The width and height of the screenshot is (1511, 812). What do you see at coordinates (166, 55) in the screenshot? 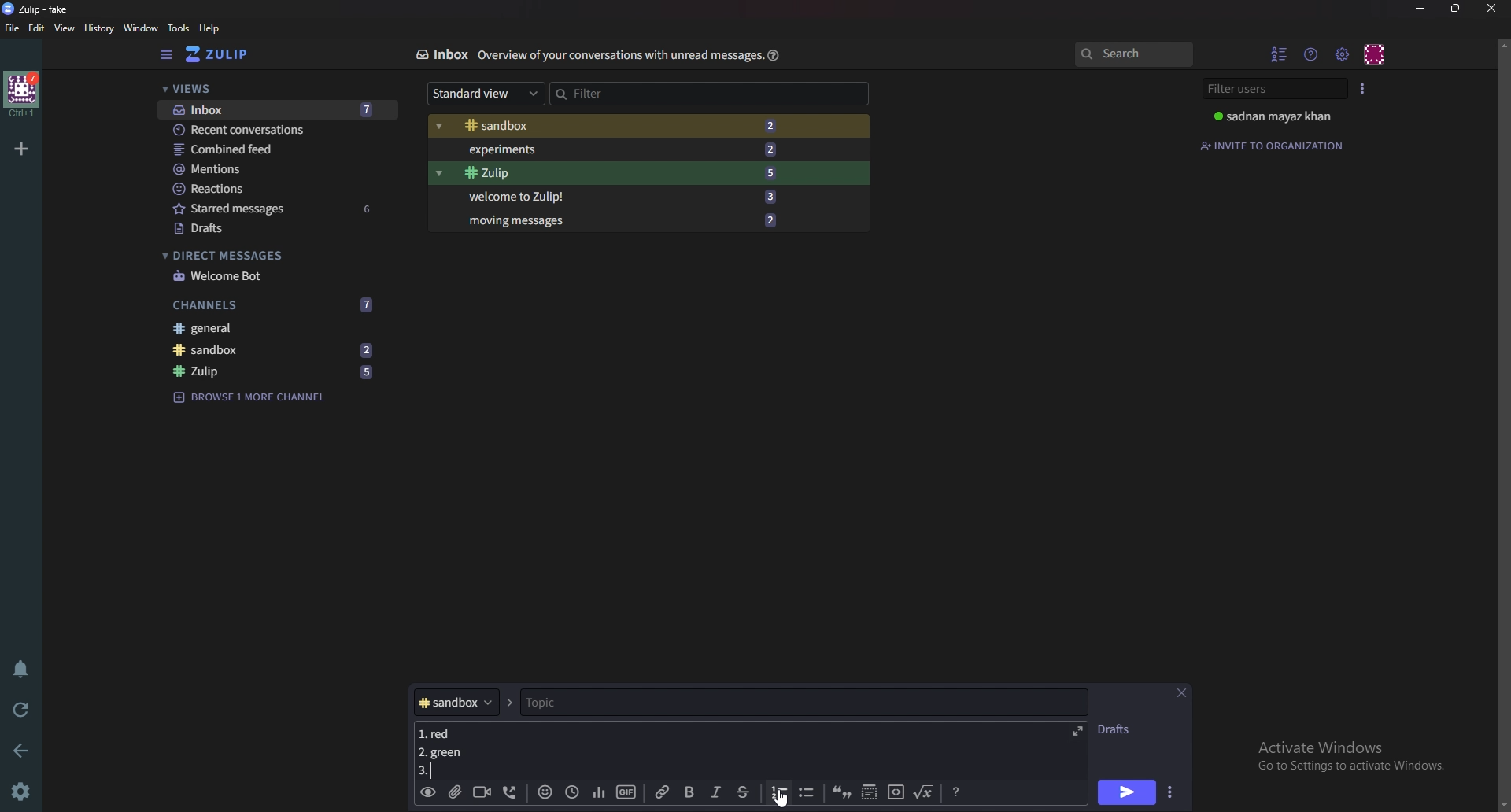
I see `Hide sidebar` at bounding box center [166, 55].